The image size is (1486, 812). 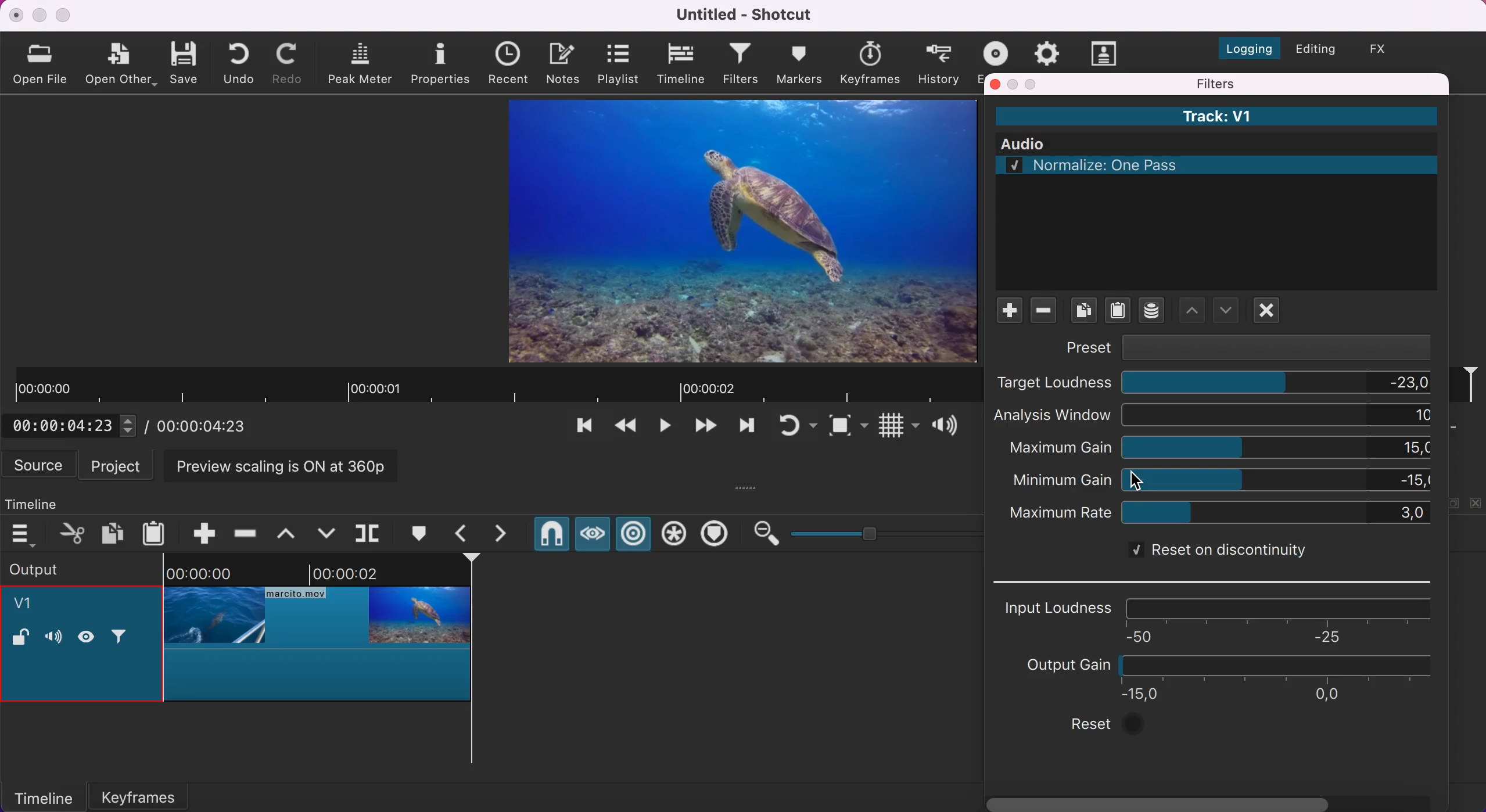 What do you see at coordinates (949, 427) in the screenshot?
I see `show volume control` at bounding box center [949, 427].